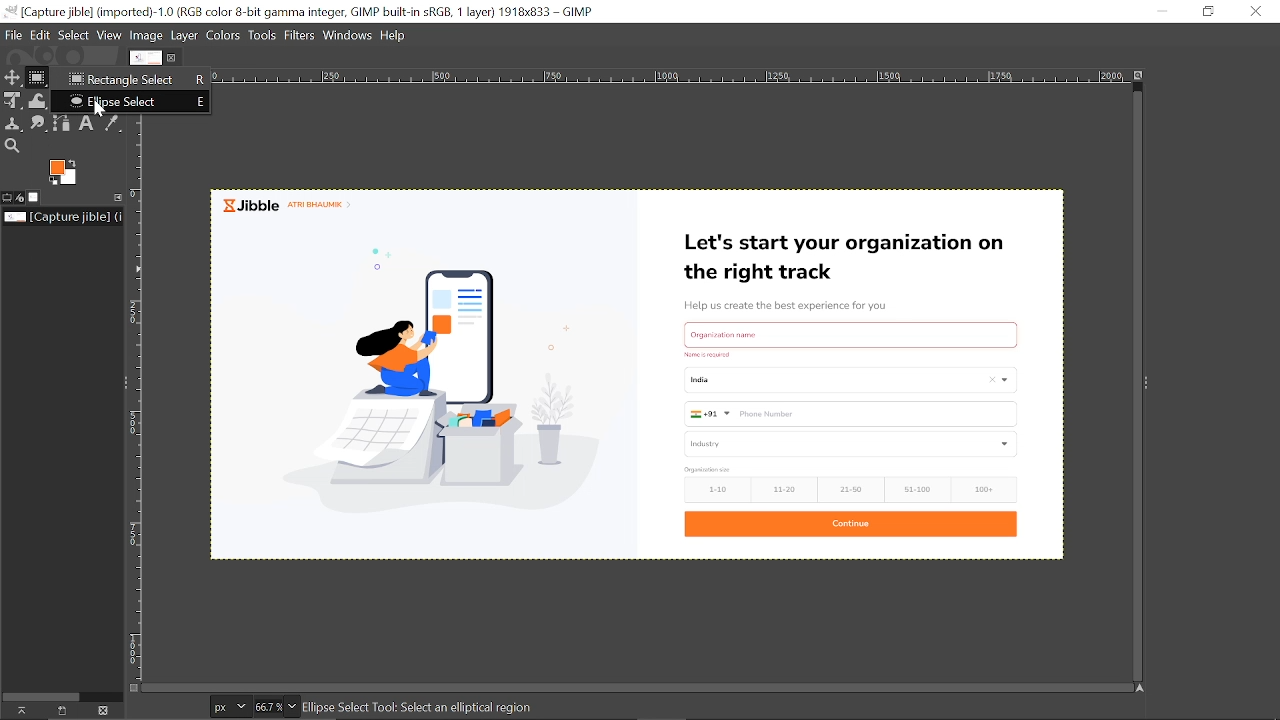 Image resolution: width=1280 pixels, height=720 pixels. I want to click on Name of the current file, so click(64, 217).